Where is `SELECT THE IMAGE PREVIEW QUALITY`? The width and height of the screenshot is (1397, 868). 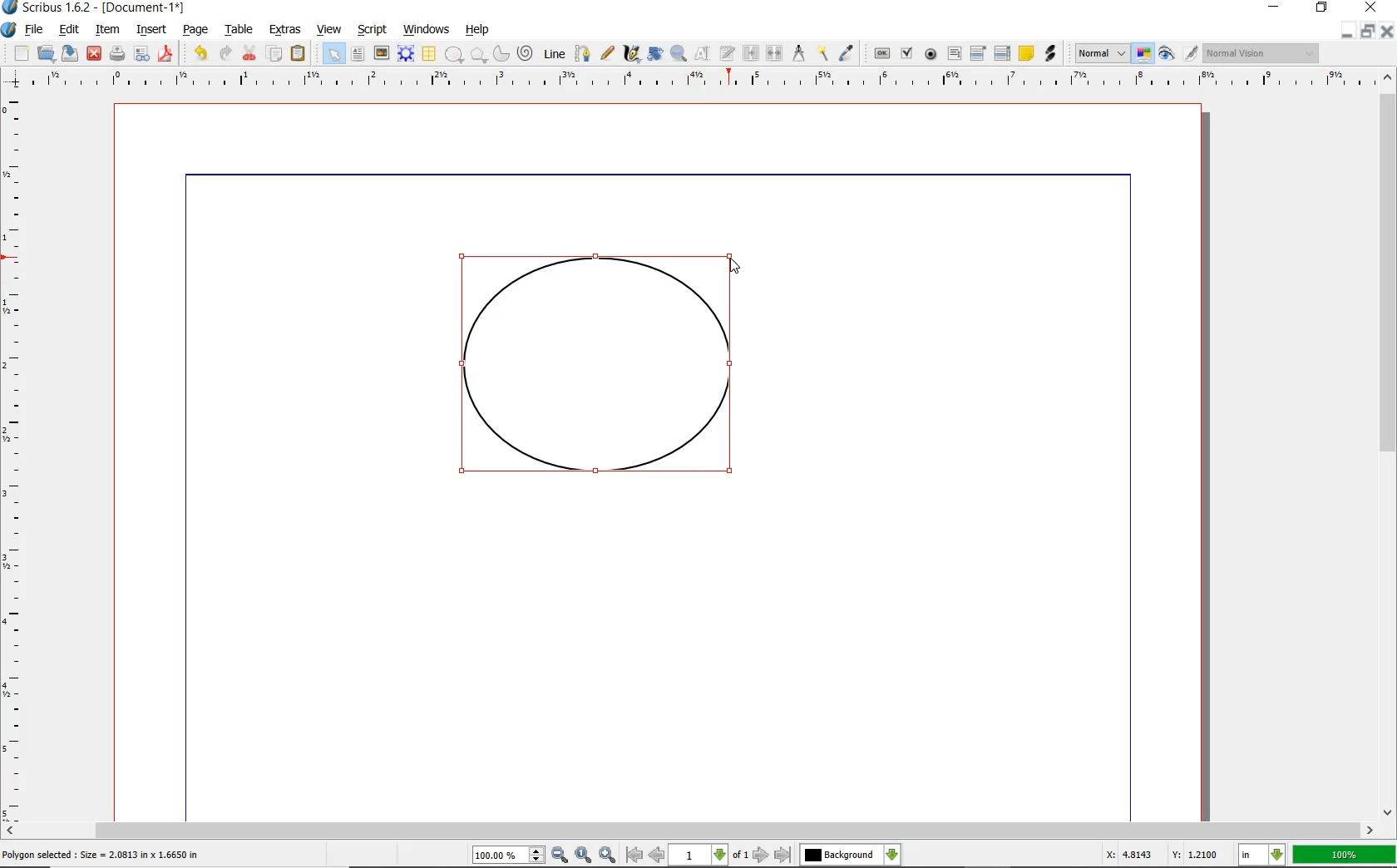
SELECT THE IMAGE PREVIEW QUALITY is located at coordinates (1102, 53).